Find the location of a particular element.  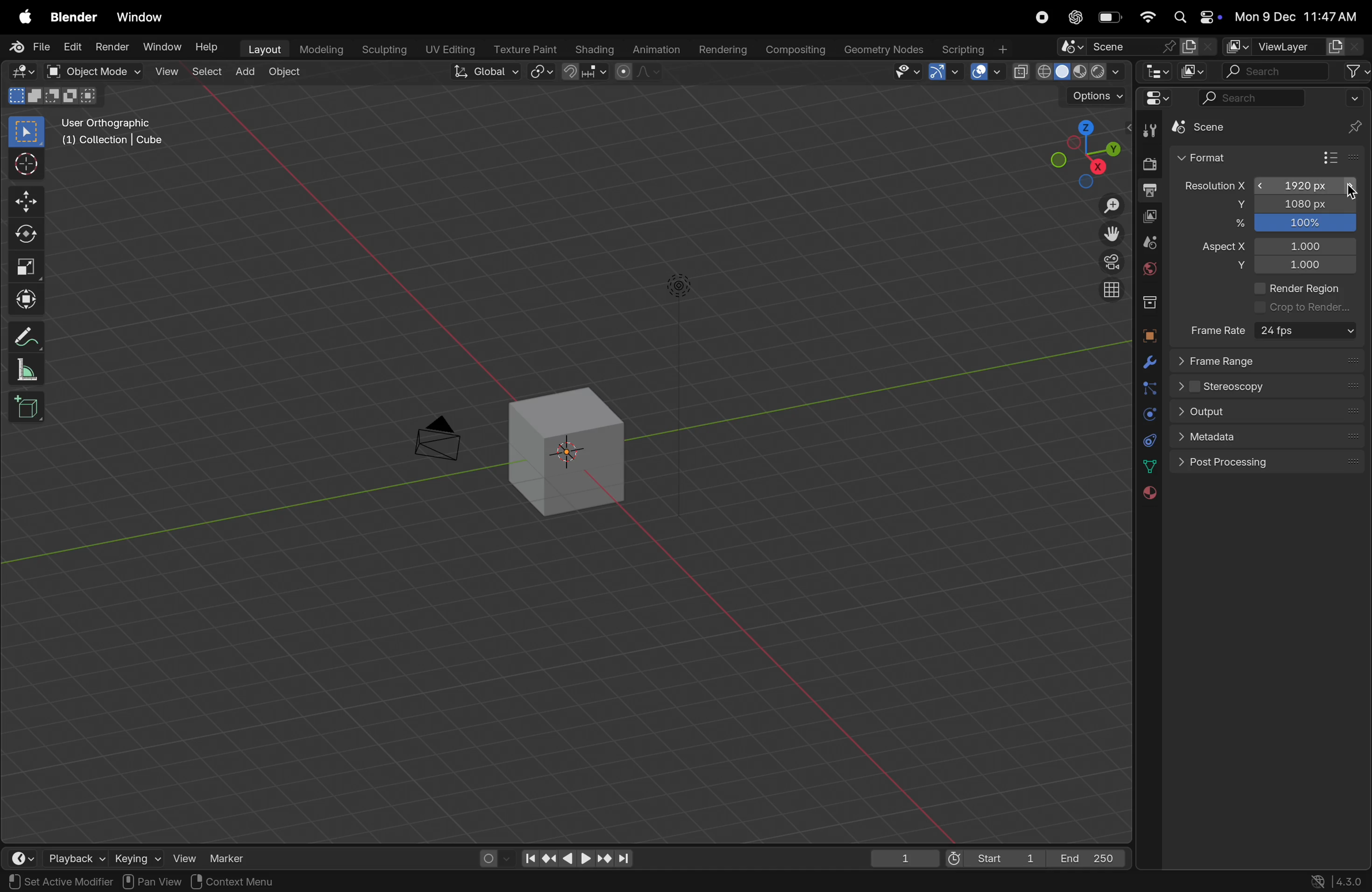

user orthographic is located at coordinates (114, 133).